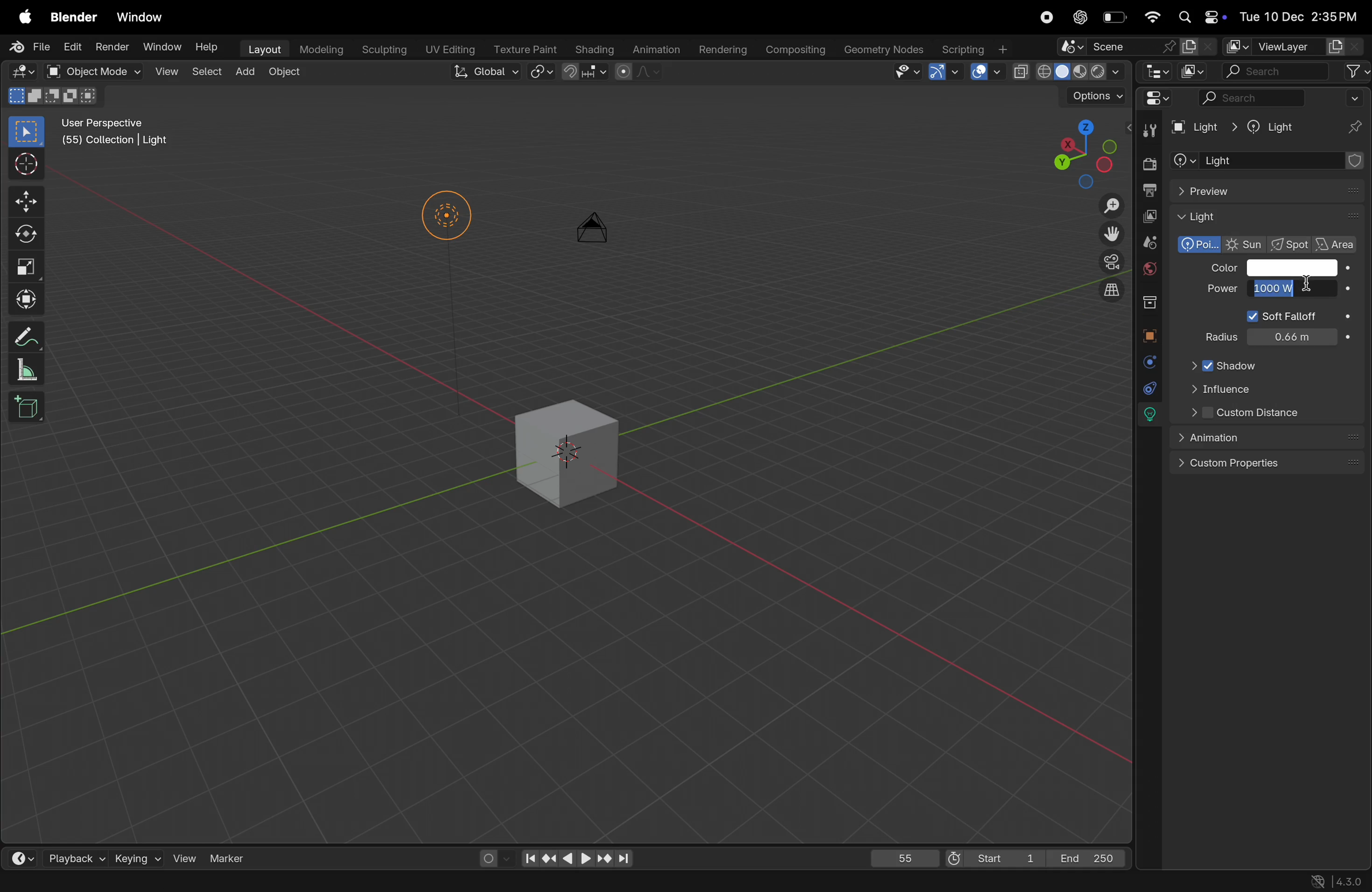 Image resolution: width=1372 pixels, height=892 pixels. What do you see at coordinates (1299, 267) in the screenshot?
I see `color` at bounding box center [1299, 267].